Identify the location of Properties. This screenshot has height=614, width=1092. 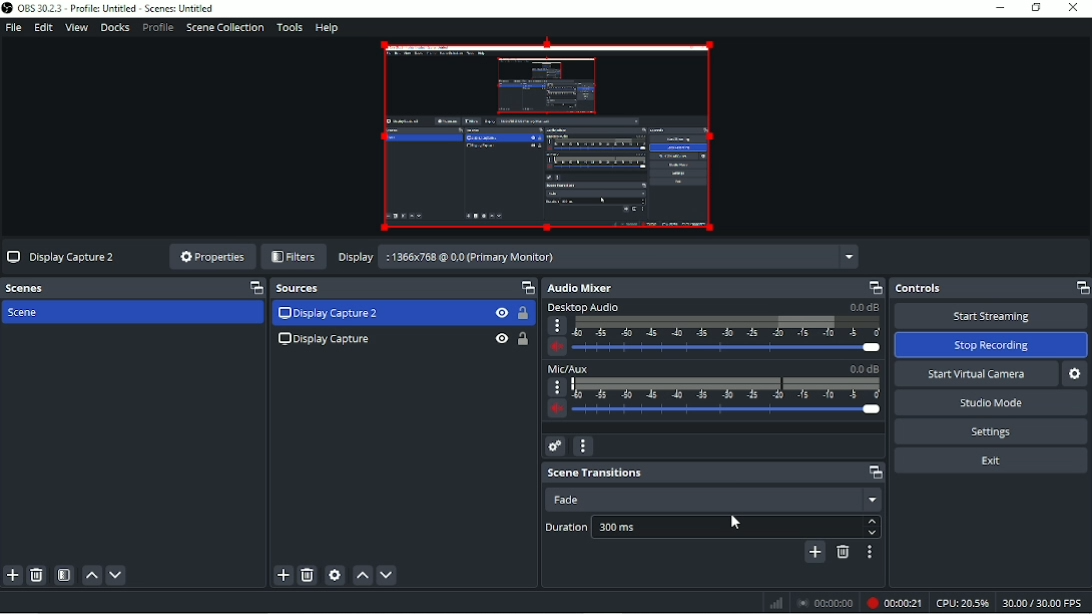
(211, 256).